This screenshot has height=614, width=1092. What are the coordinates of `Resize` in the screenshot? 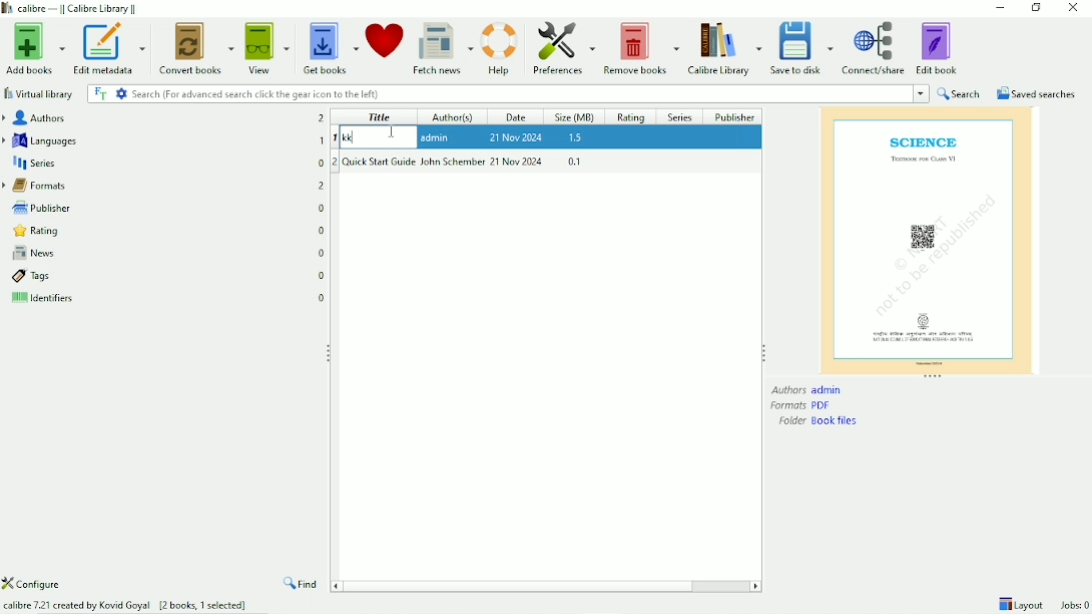 It's located at (934, 377).